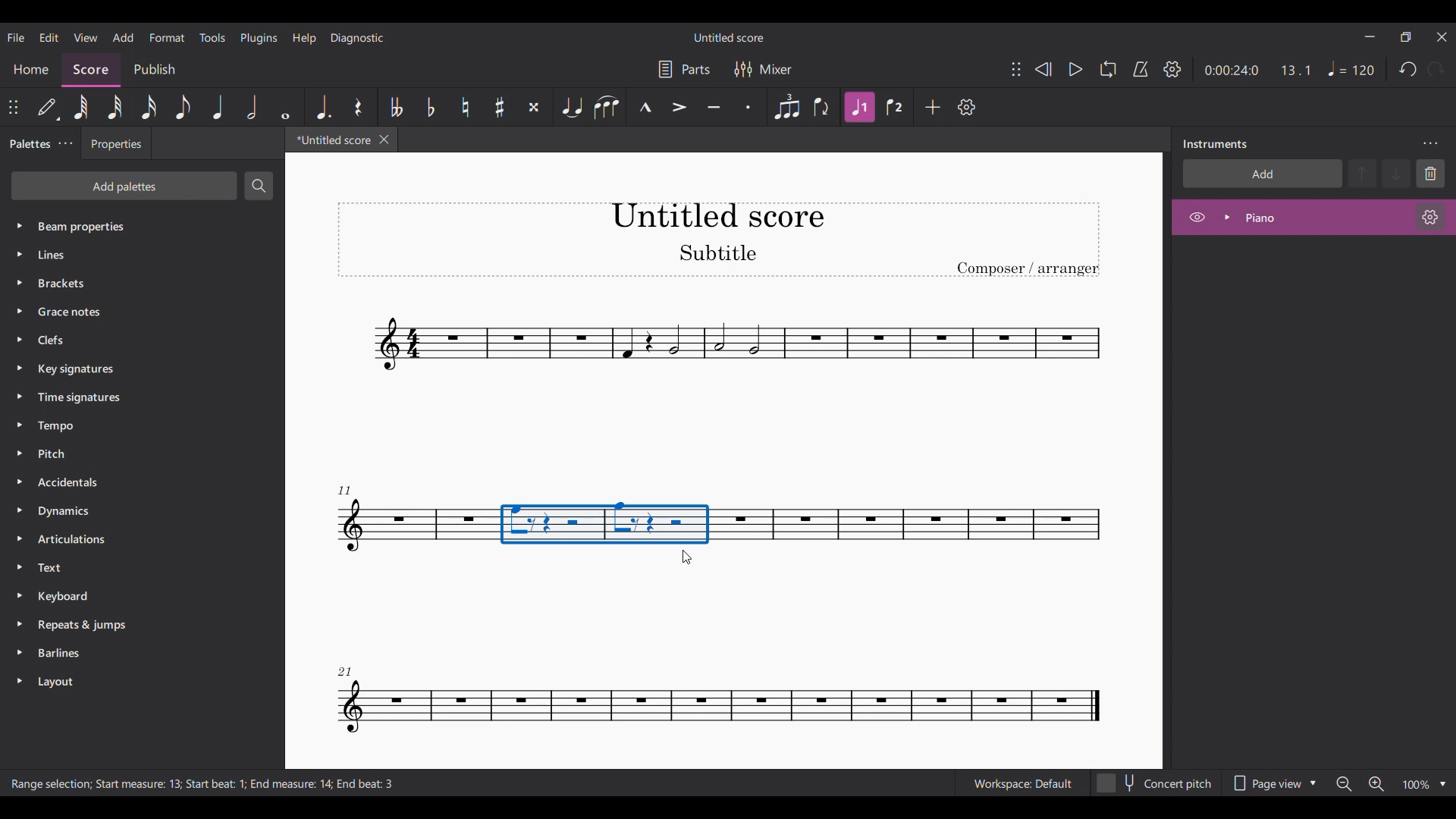  I want to click on Selected notes highlighted, so click(606, 523).